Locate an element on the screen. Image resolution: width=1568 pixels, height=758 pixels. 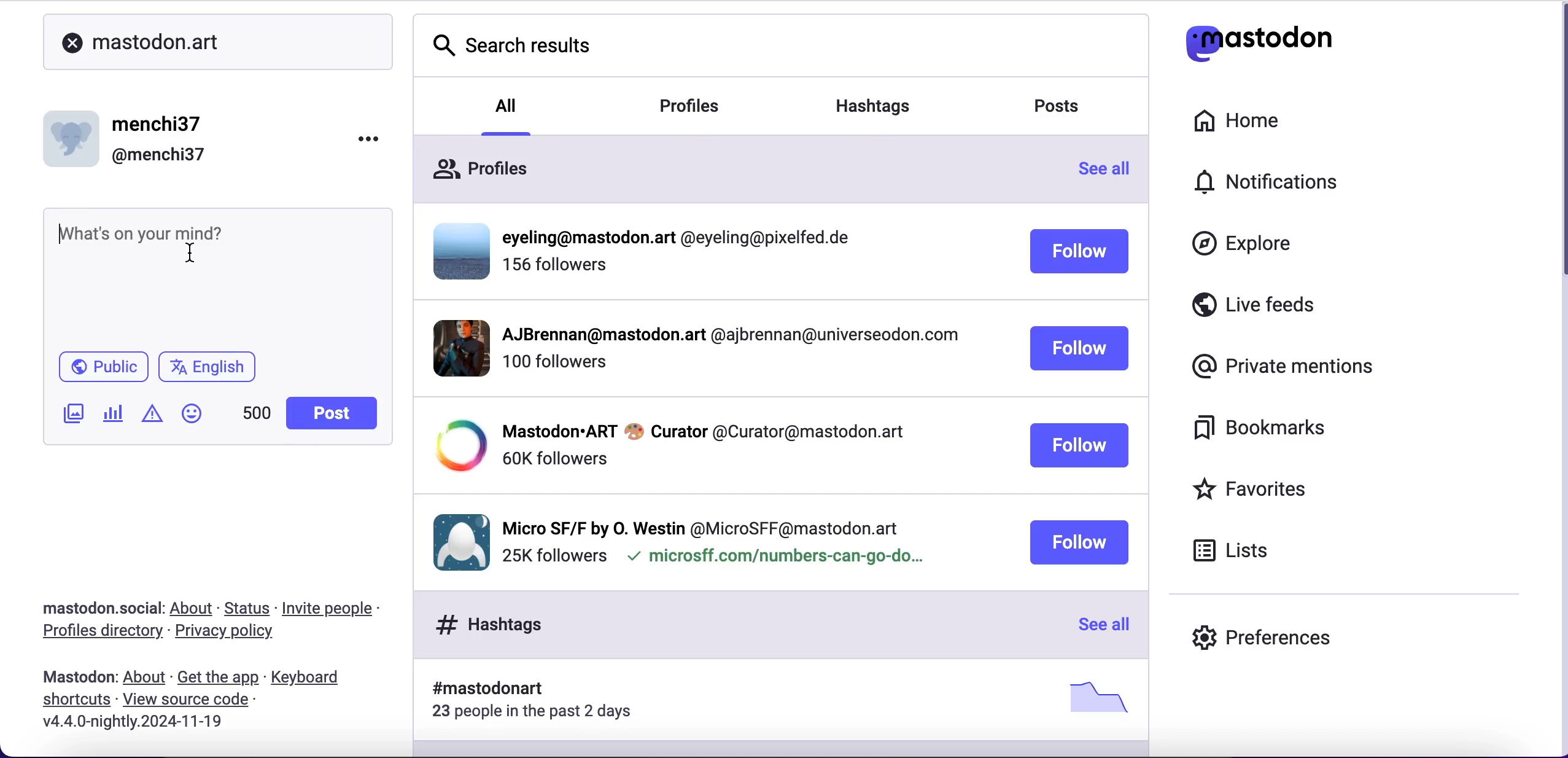
view source code is located at coordinates (190, 701).